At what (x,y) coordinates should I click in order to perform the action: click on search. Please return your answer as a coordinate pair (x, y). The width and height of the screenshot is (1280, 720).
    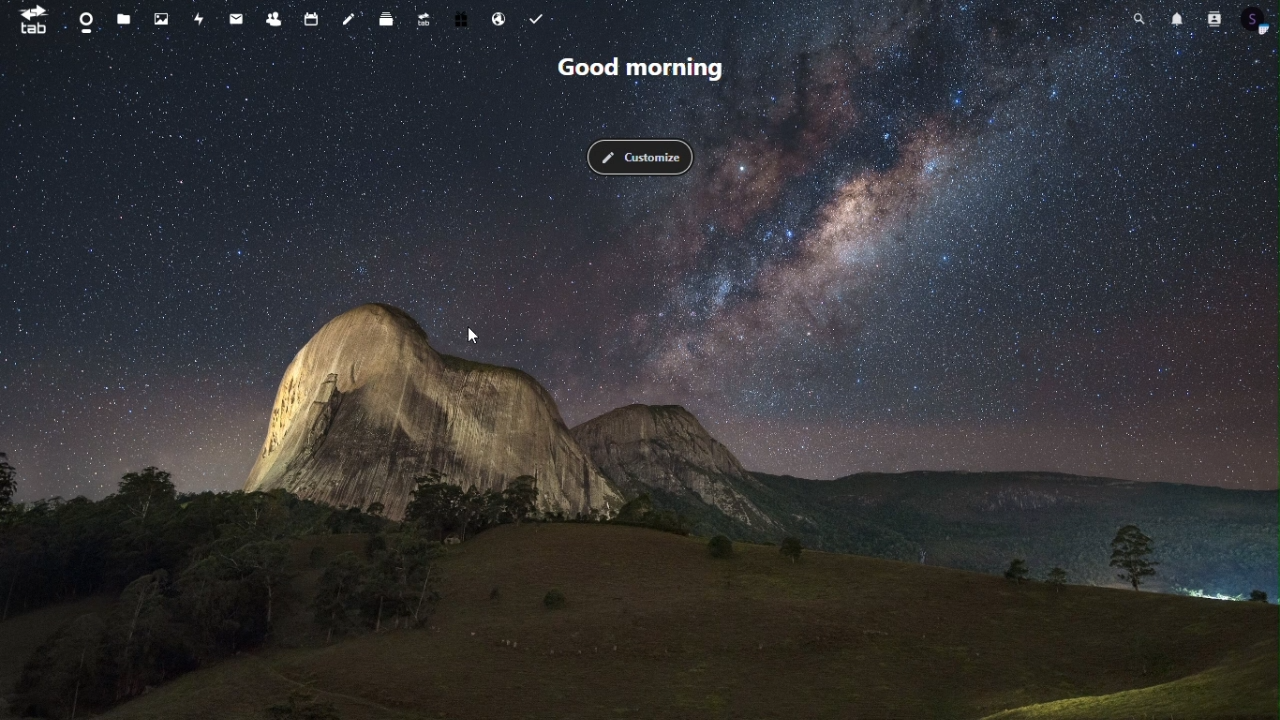
    Looking at the image, I should click on (1138, 17).